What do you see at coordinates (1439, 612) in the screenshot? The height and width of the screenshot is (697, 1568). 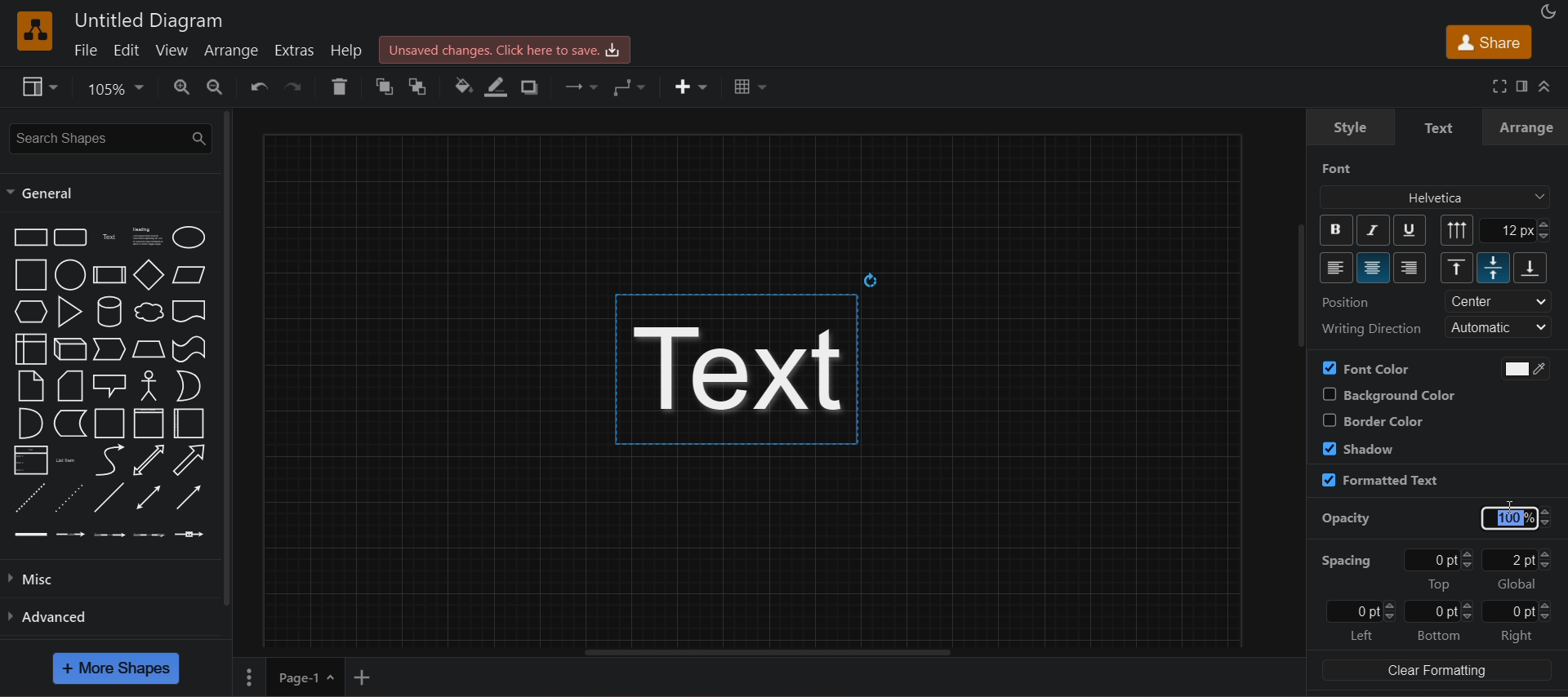 I see `0 pt` at bounding box center [1439, 612].